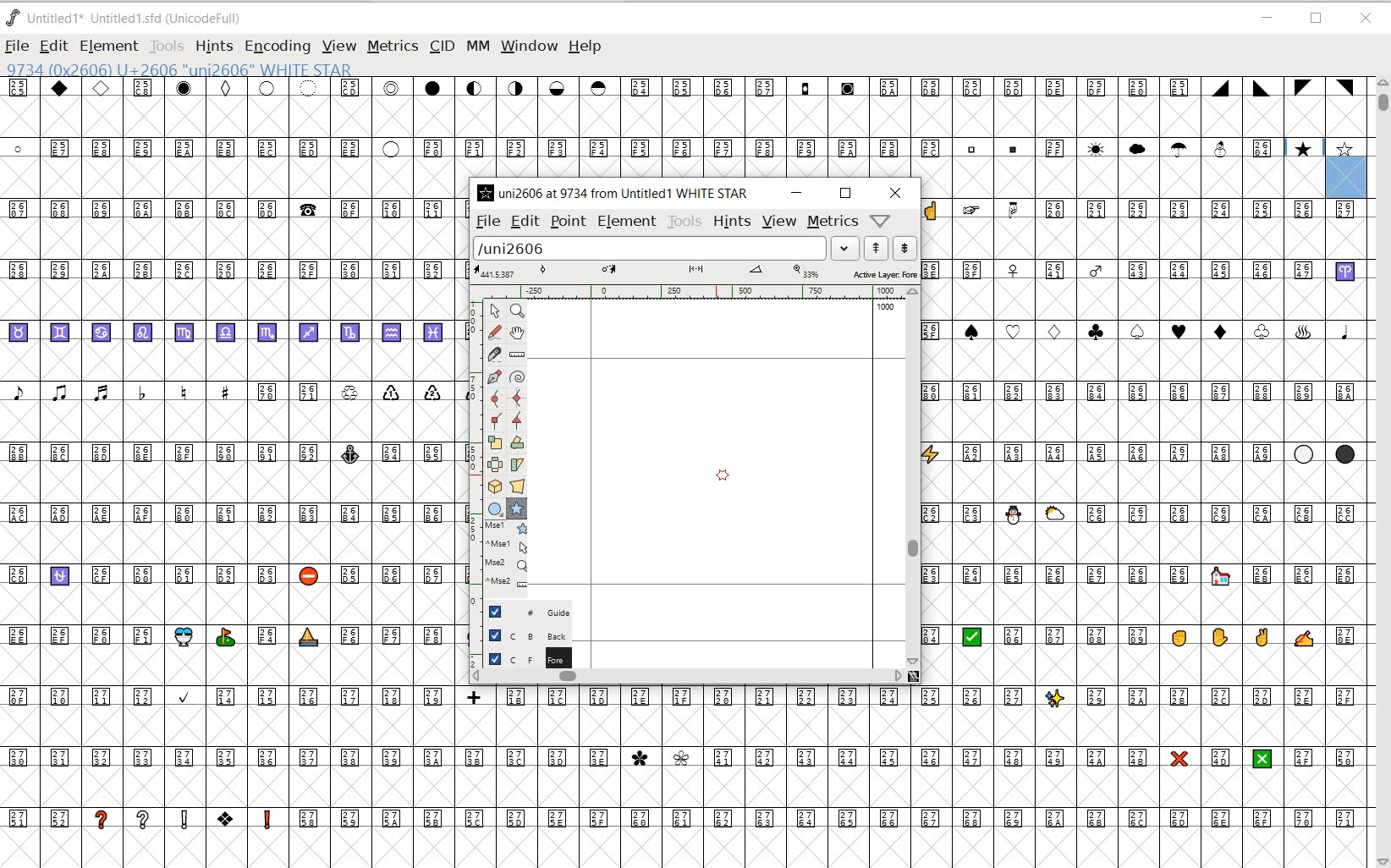  Describe the element at coordinates (508, 555) in the screenshot. I see `OCCURENCES OF EDITING TOOLS ON THE WINDOW` at that location.